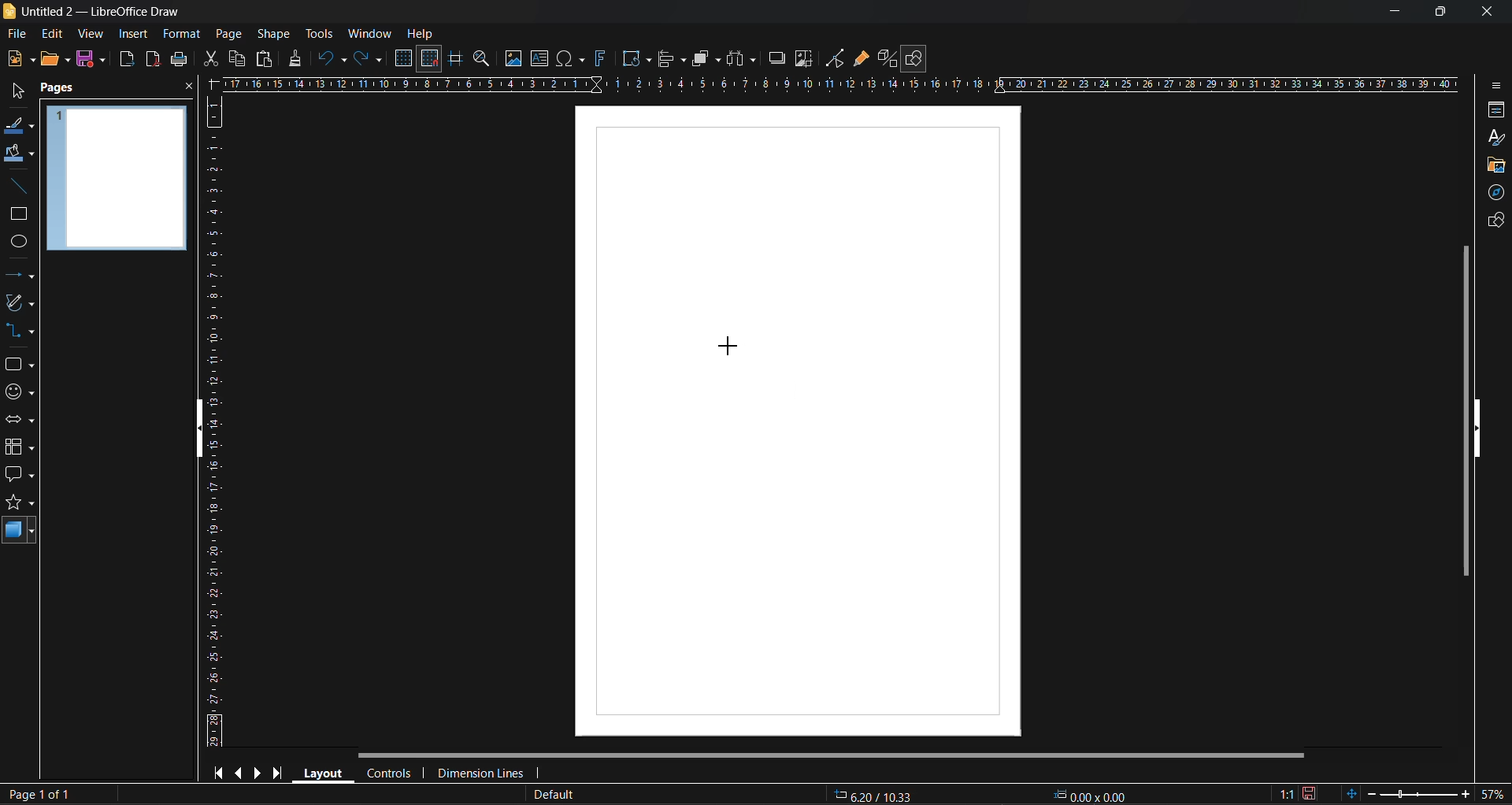  Describe the element at coordinates (215, 421) in the screenshot. I see `vertical ruler` at that location.